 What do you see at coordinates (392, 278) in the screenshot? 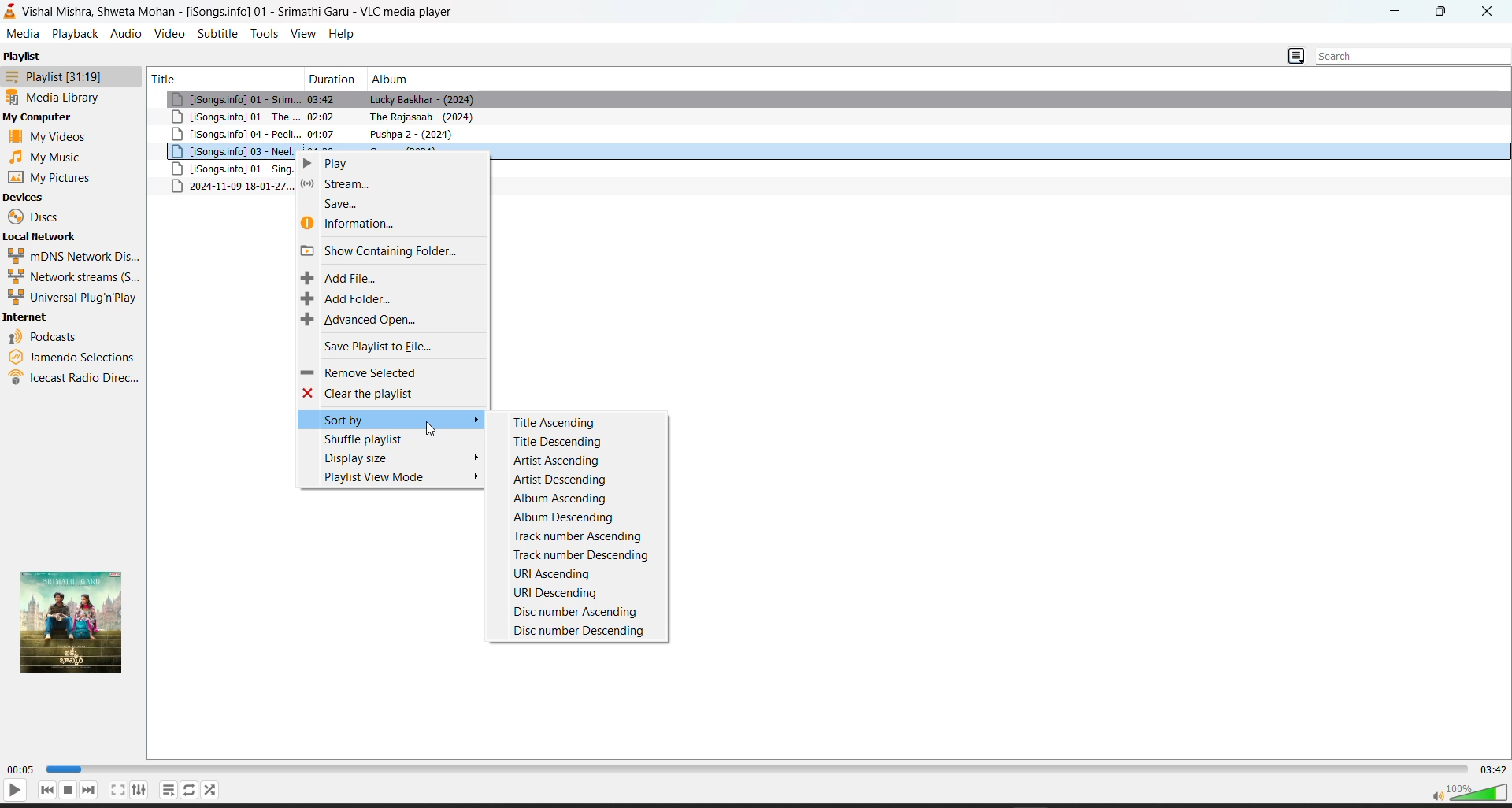
I see `add file` at bounding box center [392, 278].